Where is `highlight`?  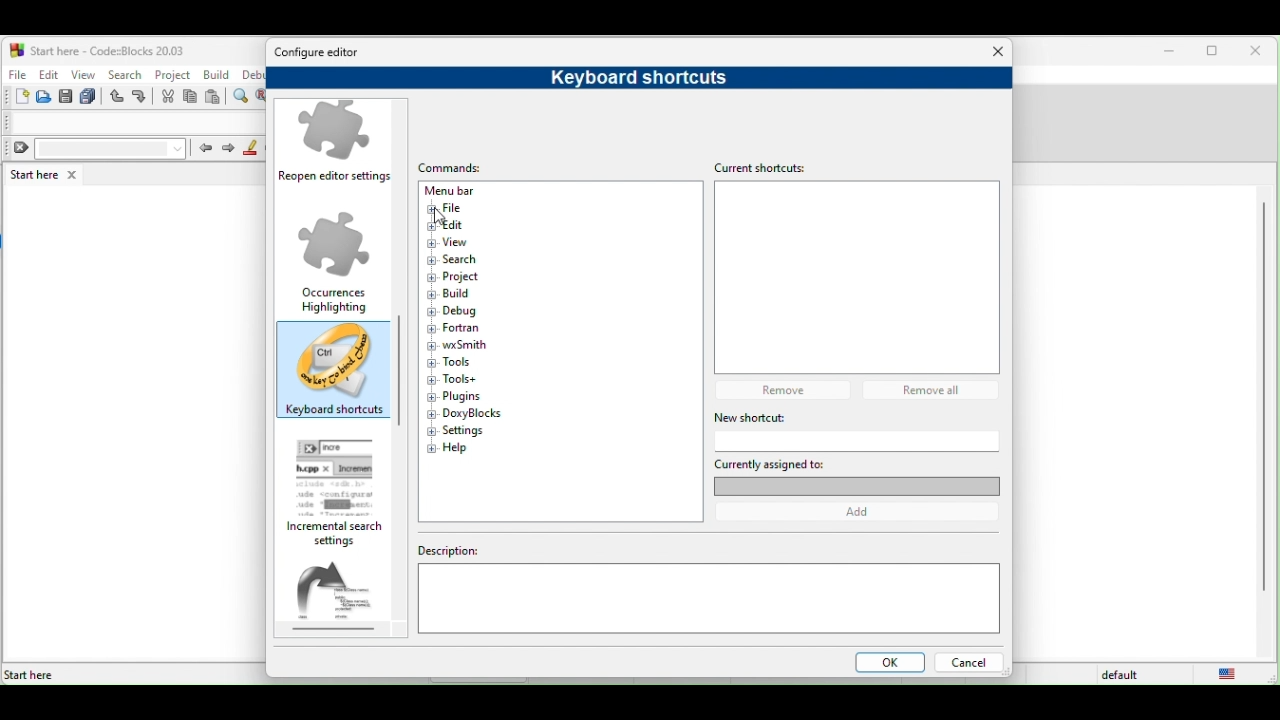 highlight is located at coordinates (251, 148).